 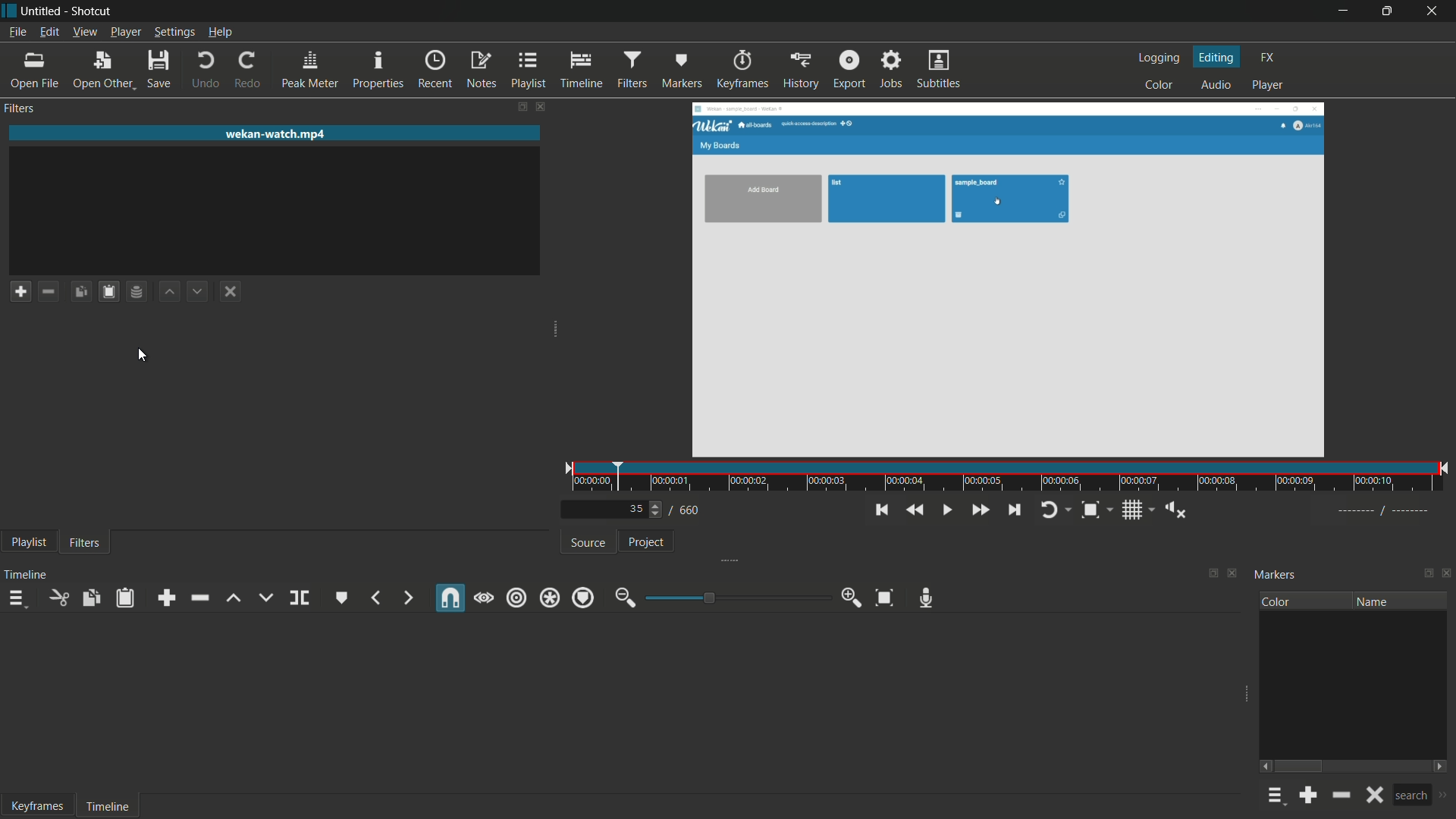 What do you see at coordinates (161, 71) in the screenshot?
I see `save` at bounding box center [161, 71].